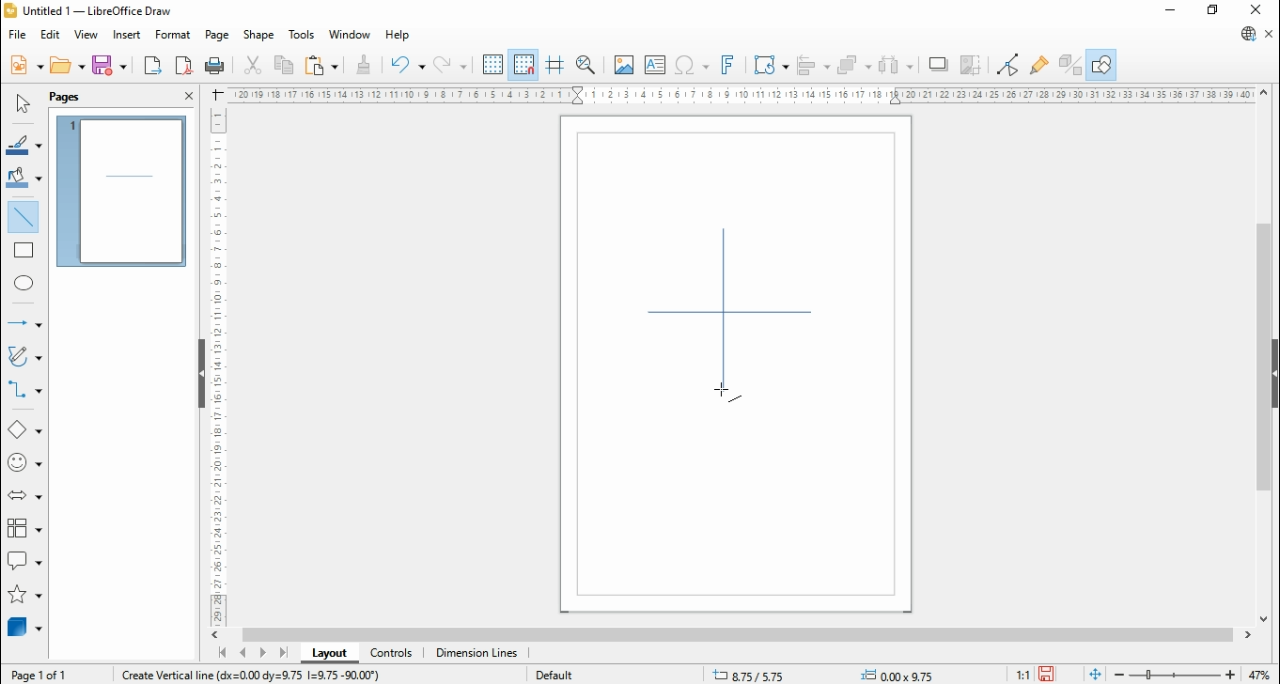 This screenshot has width=1280, height=684. What do you see at coordinates (554, 63) in the screenshot?
I see `helplines while moving` at bounding box center [554, 63].